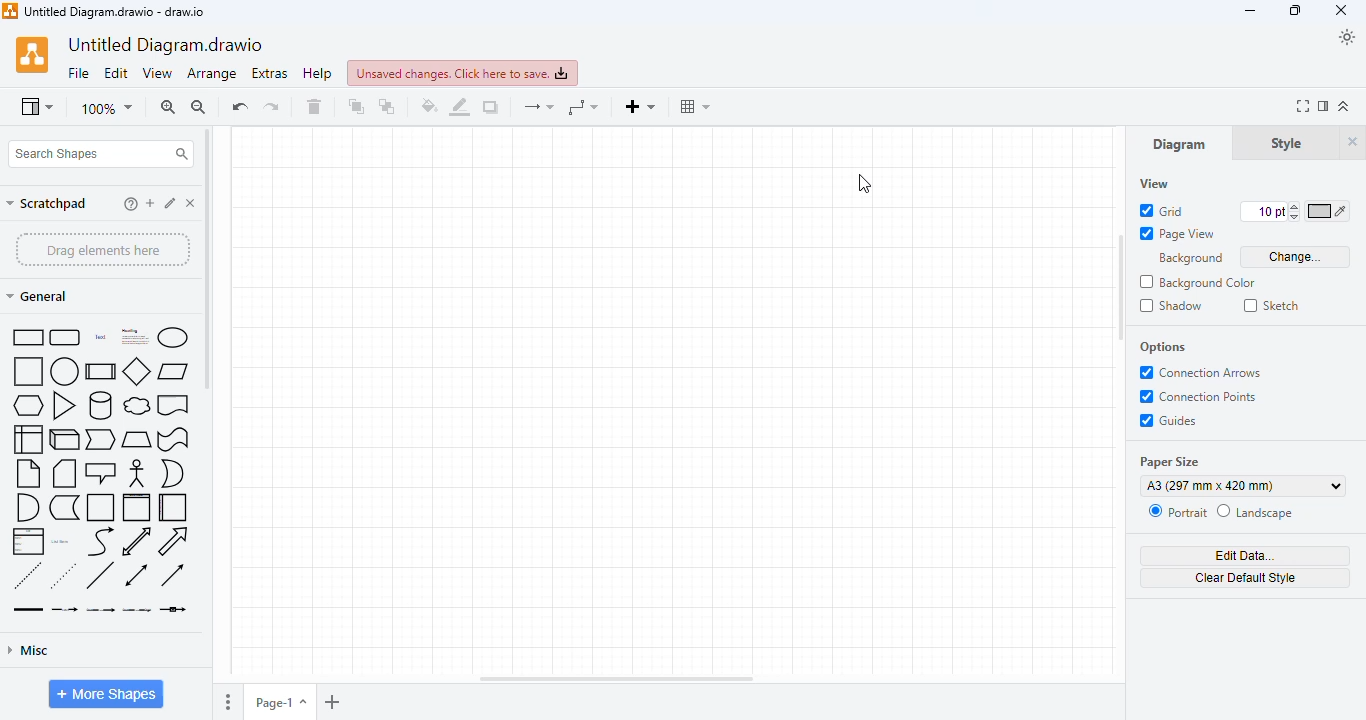 The height and width of the screenshot is (720, 1366). What do you see at coordinates (582, 107) in the screenshot?
I see `waypoints` at bounding box center [582, 107].